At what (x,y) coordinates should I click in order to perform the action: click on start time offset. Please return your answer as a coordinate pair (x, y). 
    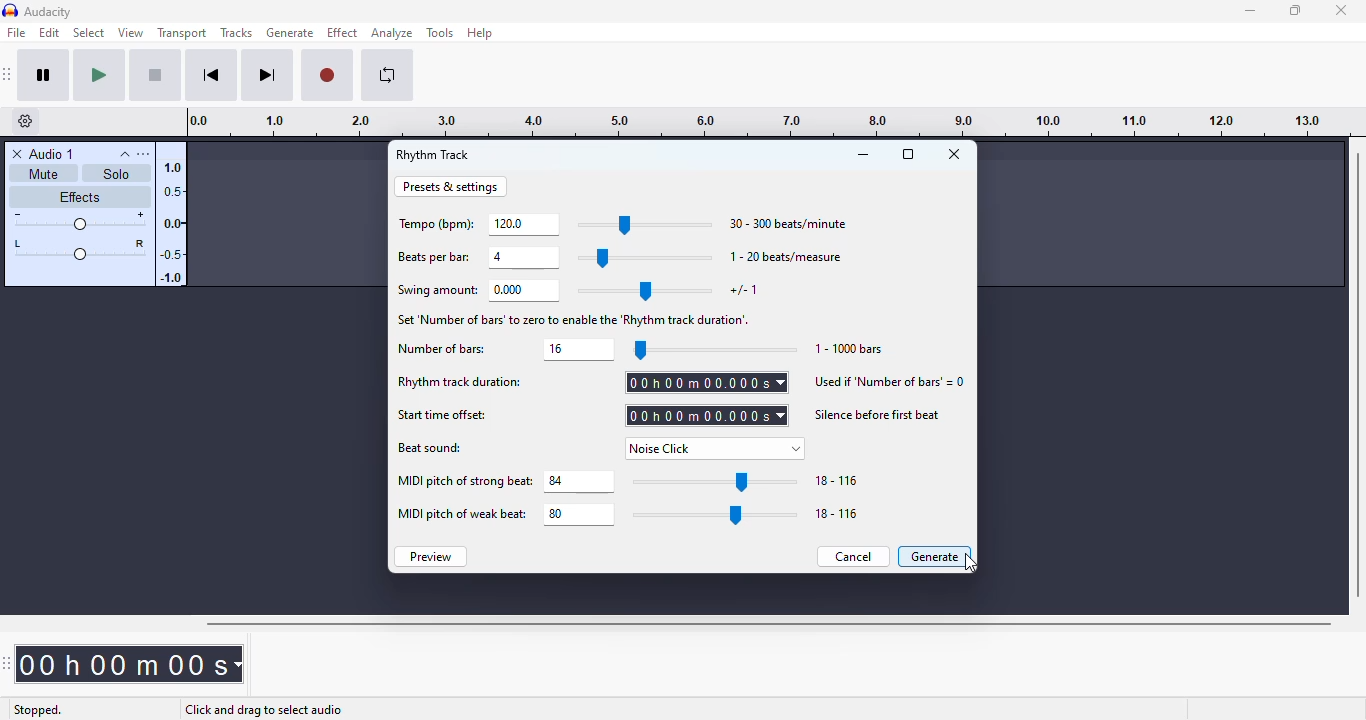
    Looking at the image, I should click on (442, 416).